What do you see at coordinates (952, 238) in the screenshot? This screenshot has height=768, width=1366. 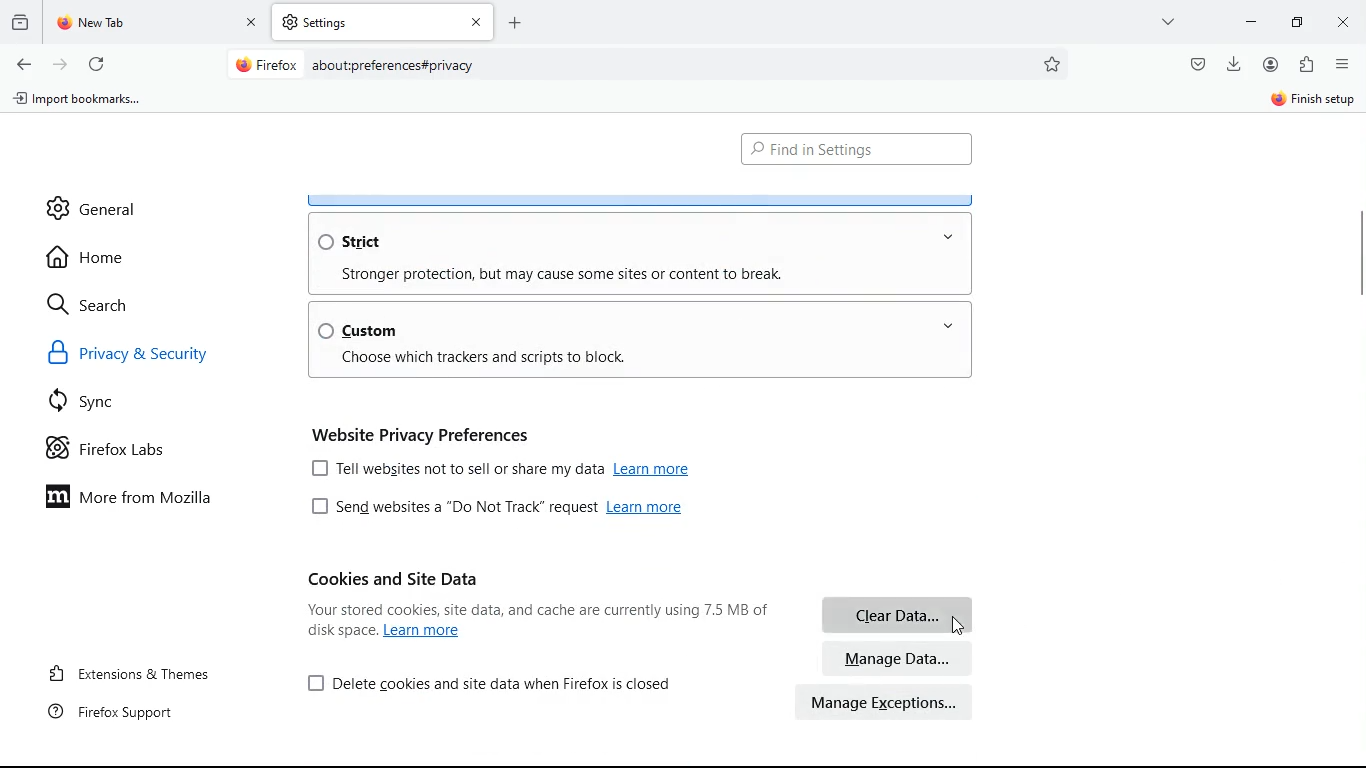 I see `open` at bounding box center [952, 238].